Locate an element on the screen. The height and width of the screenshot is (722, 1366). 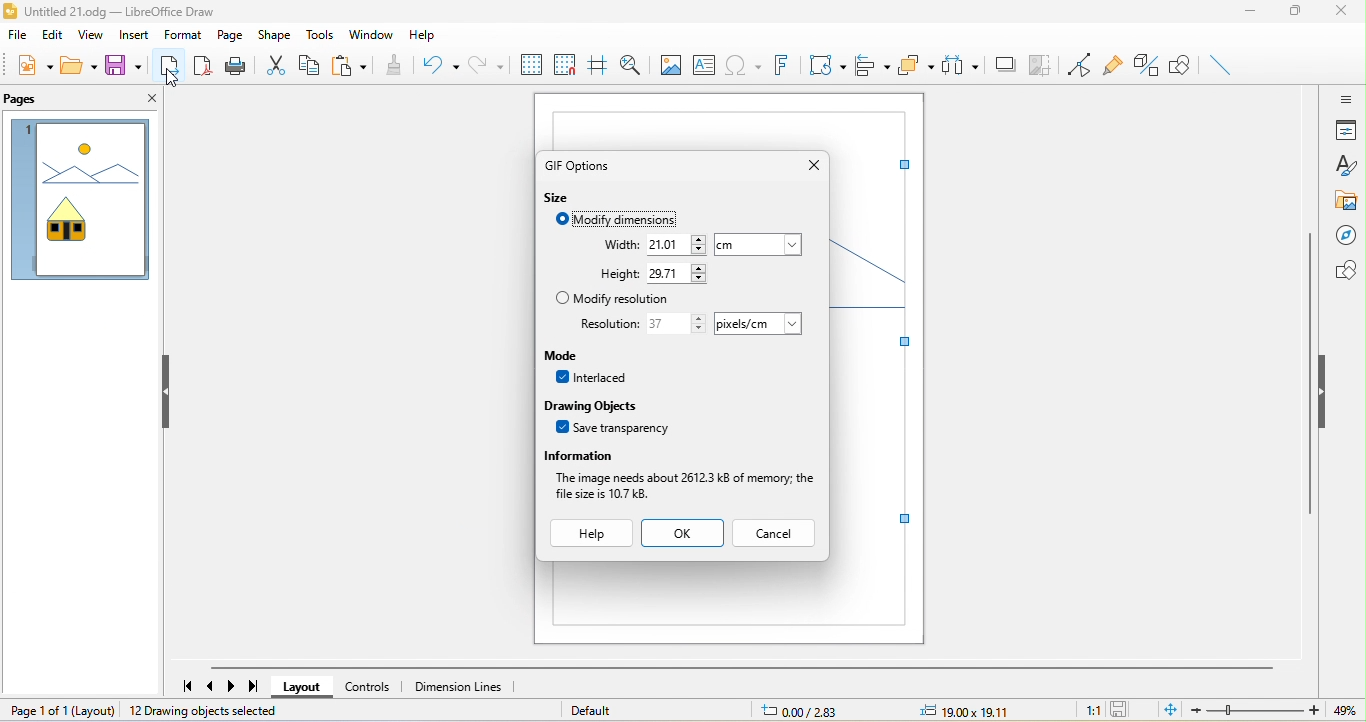
open is located at coordinates (79, 66).